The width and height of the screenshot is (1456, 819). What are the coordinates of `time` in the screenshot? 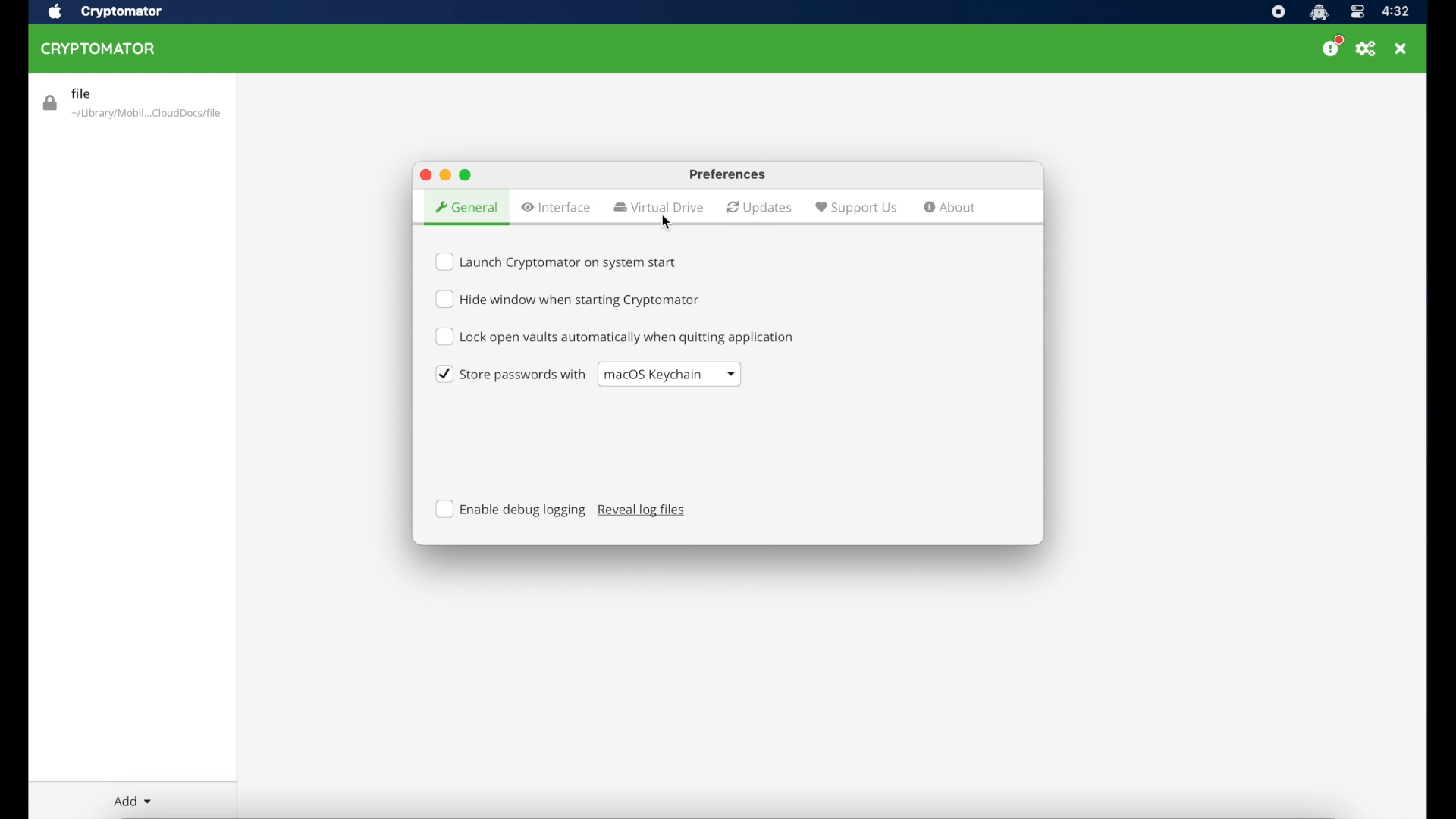 It's located at (1395, 12).